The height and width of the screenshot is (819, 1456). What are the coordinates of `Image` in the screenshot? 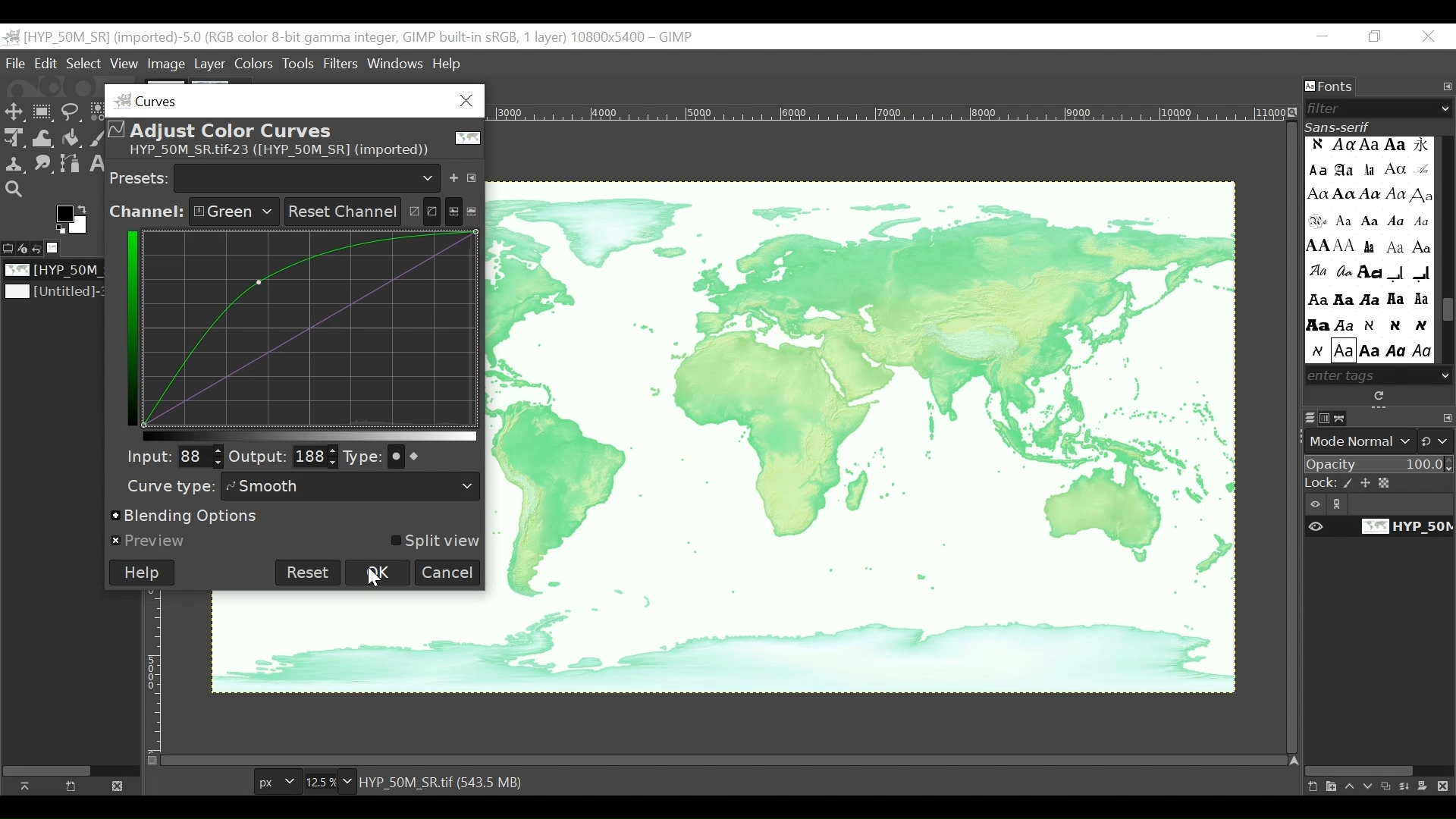 It's located at (58, 248).